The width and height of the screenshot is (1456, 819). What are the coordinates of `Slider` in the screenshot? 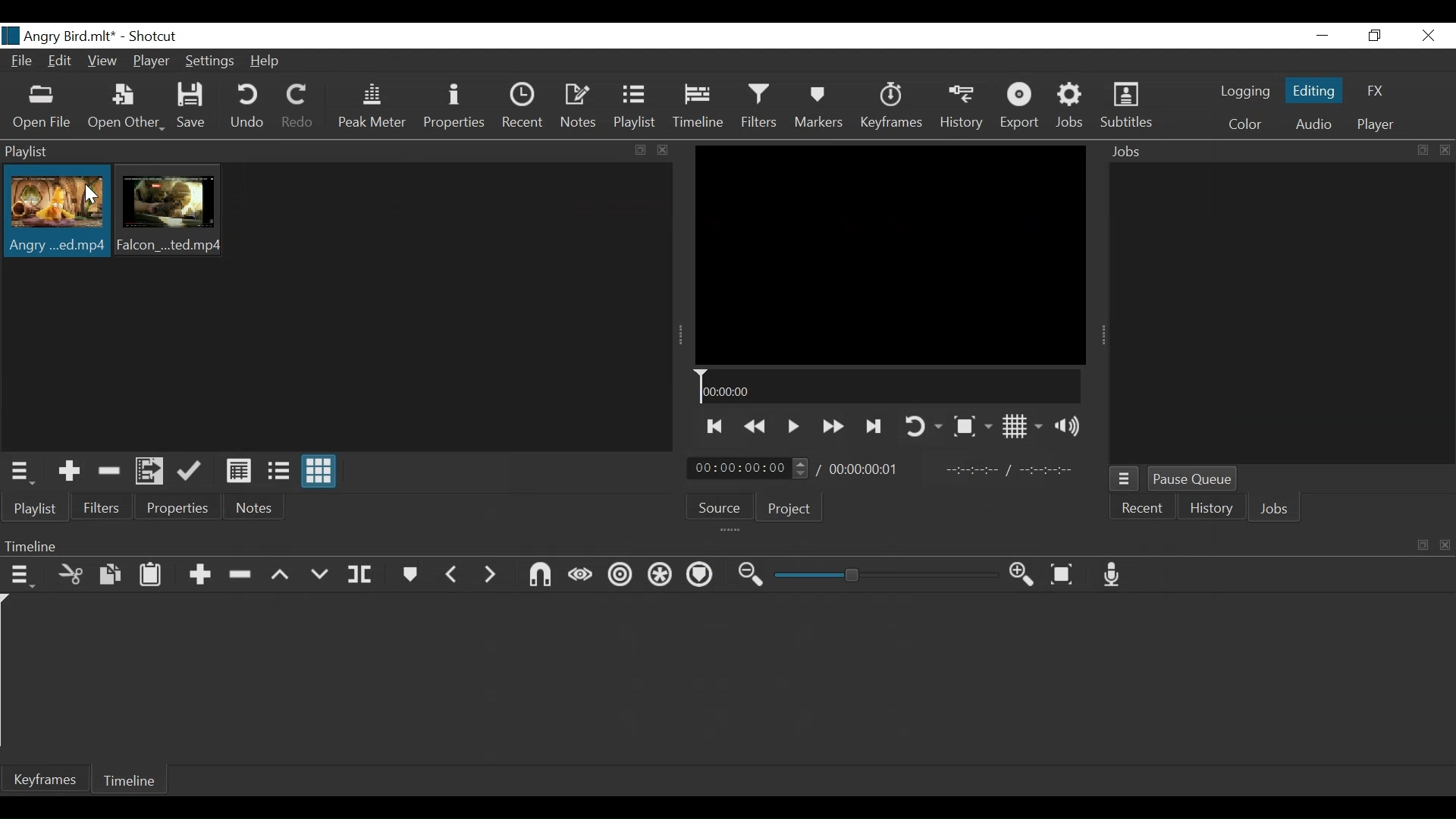 It's located at (886, 575).